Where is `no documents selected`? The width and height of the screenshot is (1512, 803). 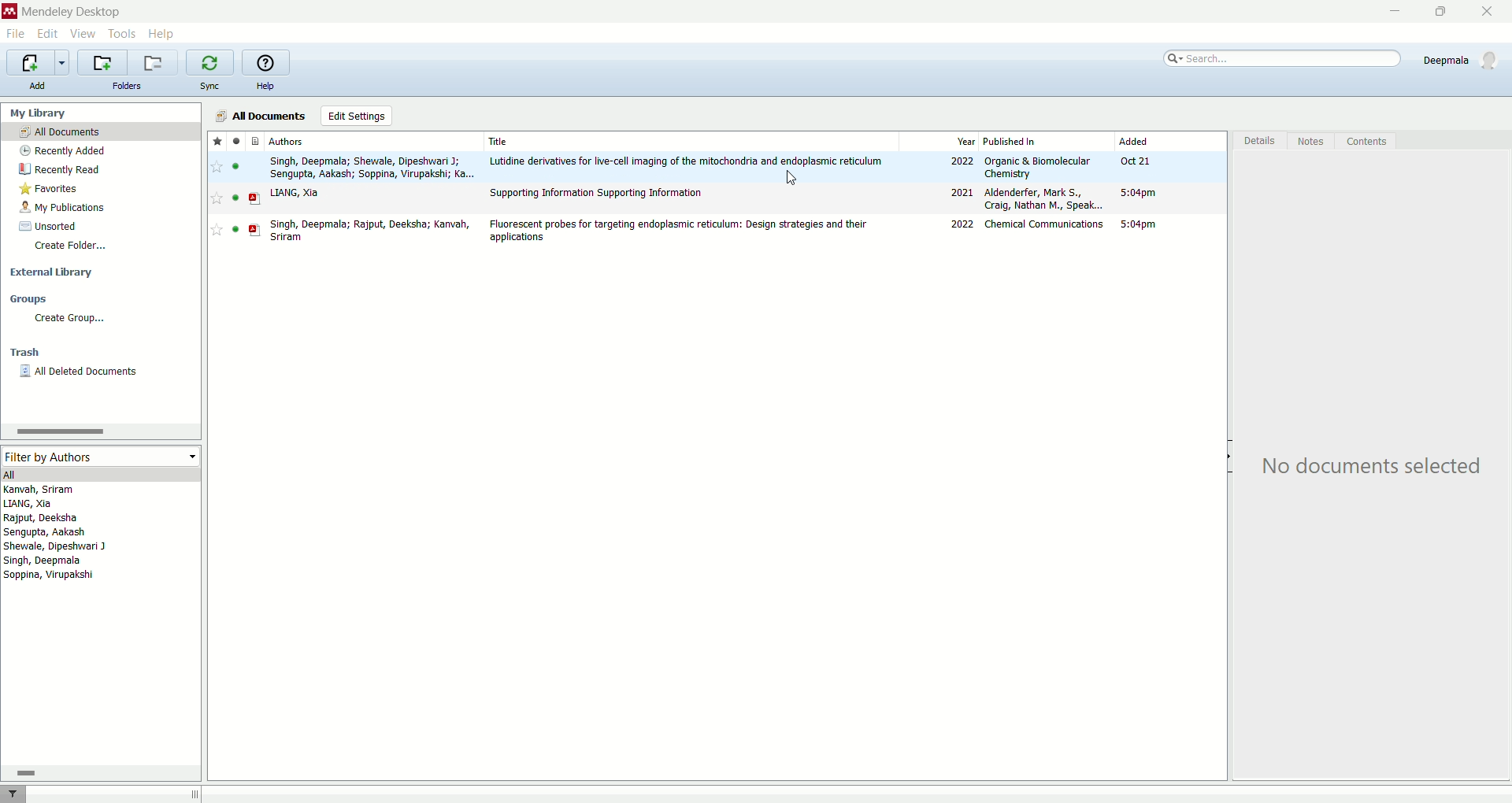 no documents selected is located at coordinates (1366, 463).